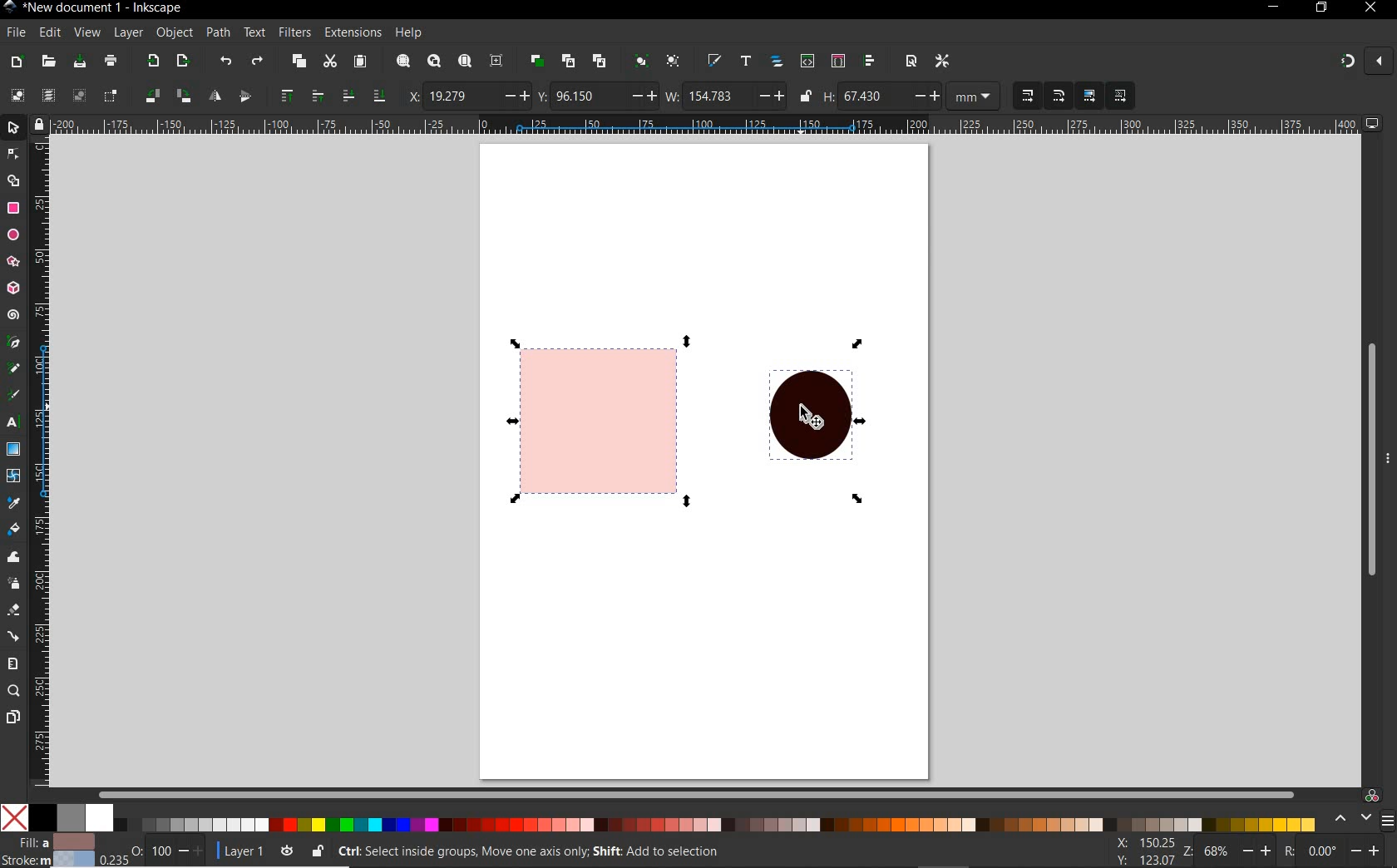 The width and height of the screenshot is (1397, 868). Describe the element at coordinates (643, 62) in the screenshot. I see `group` at that location.